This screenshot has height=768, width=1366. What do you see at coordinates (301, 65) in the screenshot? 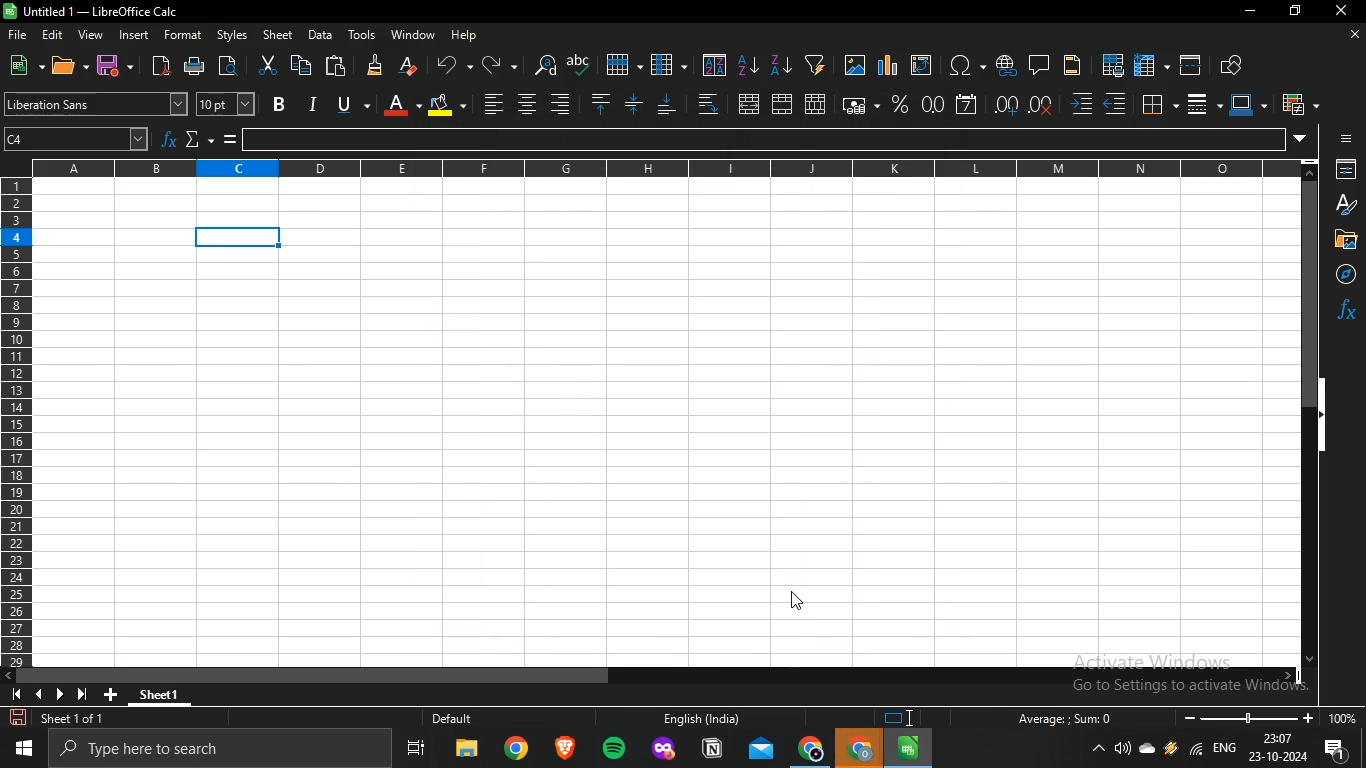
I see `copy` at bounding box center [301, 65].